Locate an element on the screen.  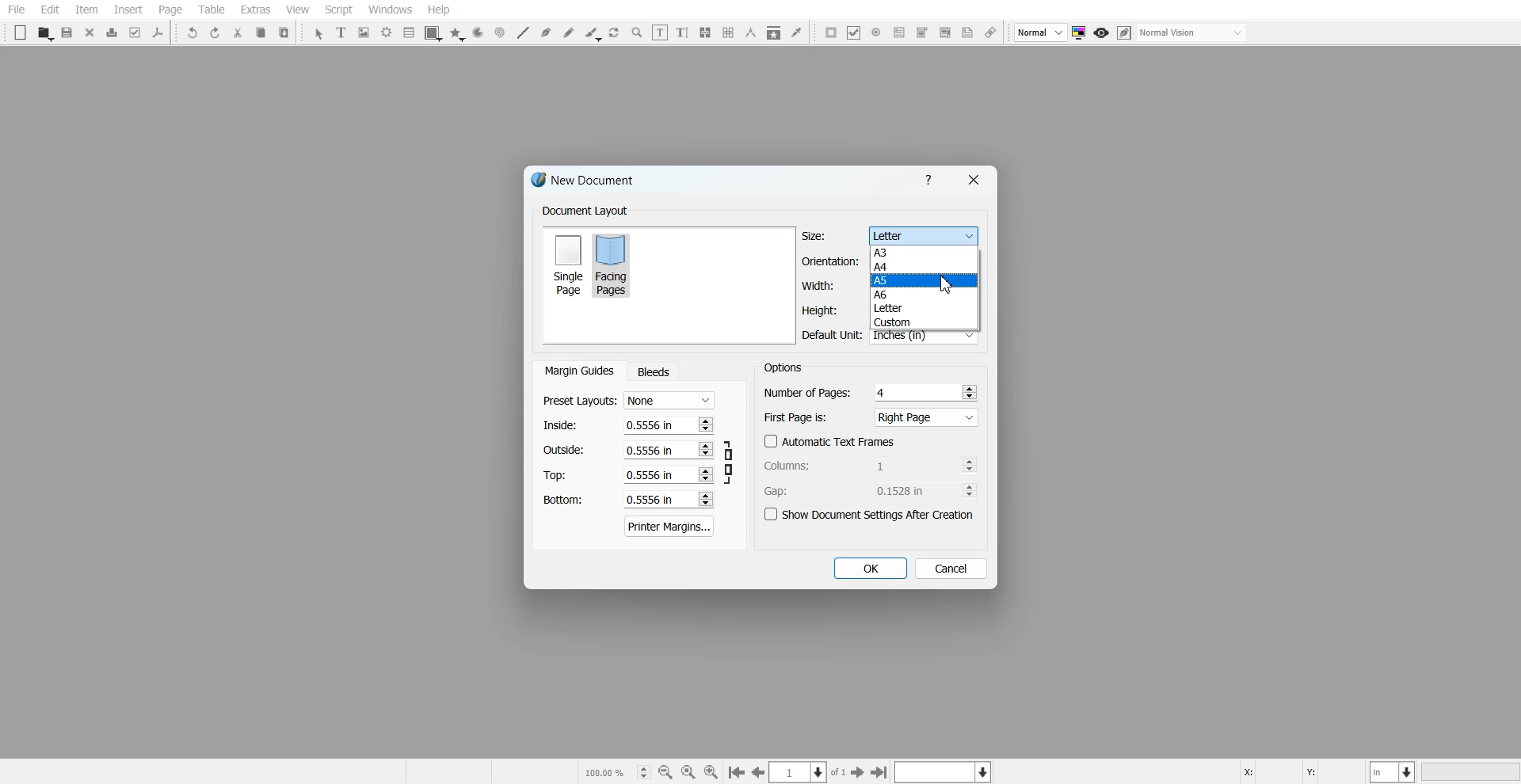
Edit in preview mode is located at coordinates (1125, 32).